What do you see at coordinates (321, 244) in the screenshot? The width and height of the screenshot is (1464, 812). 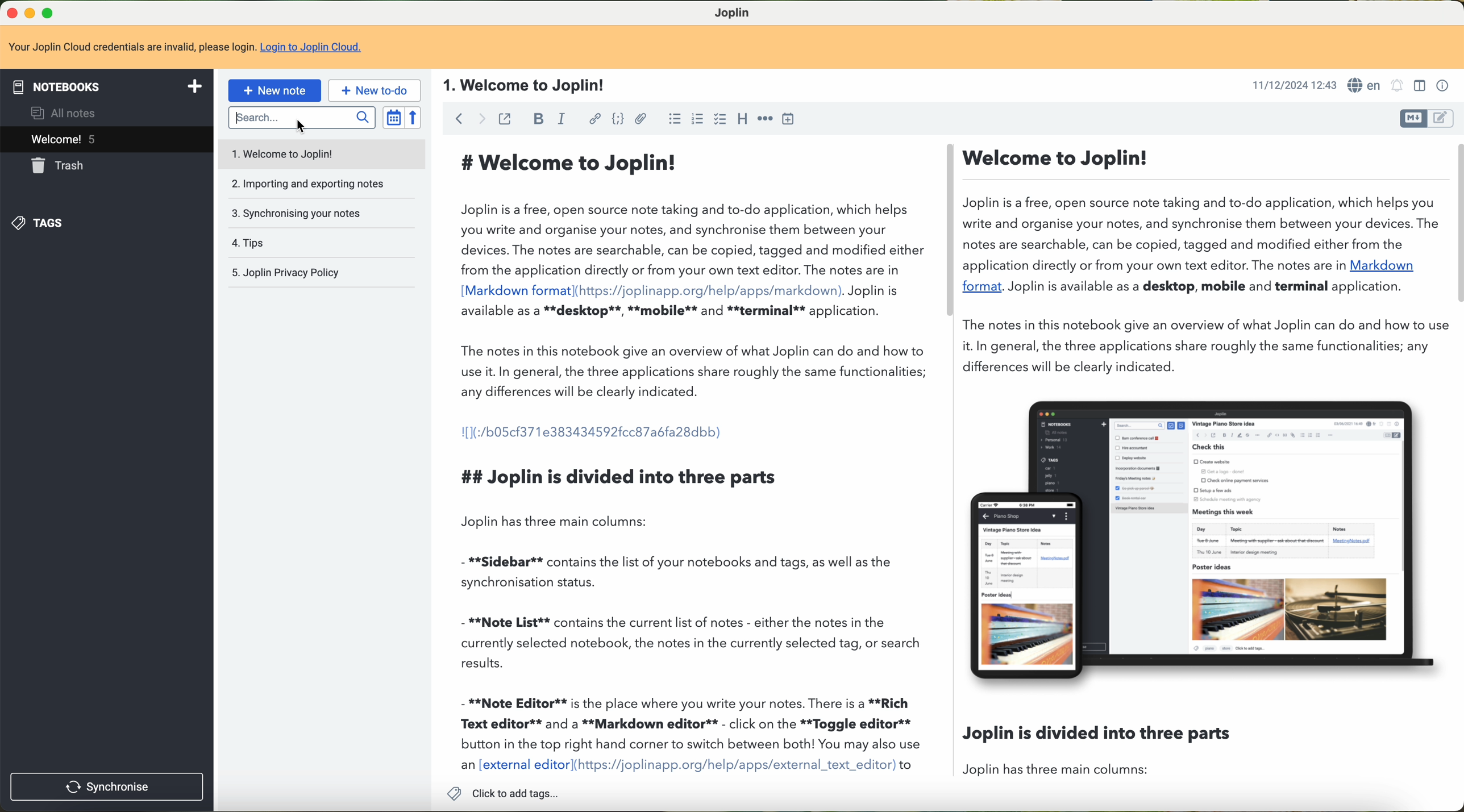 I see `tips` at bounding box center [321, 244].